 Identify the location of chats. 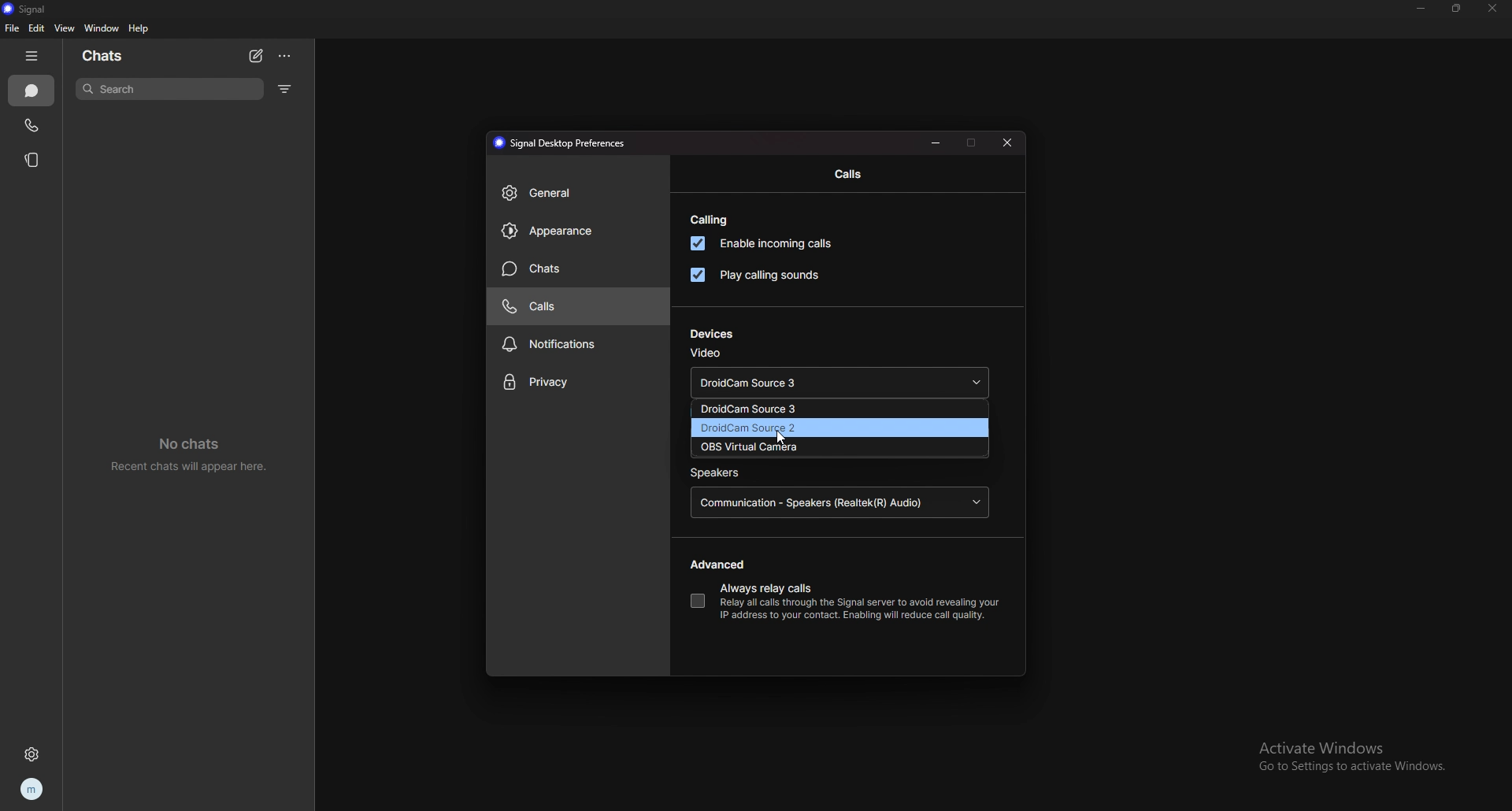
(579, 268).